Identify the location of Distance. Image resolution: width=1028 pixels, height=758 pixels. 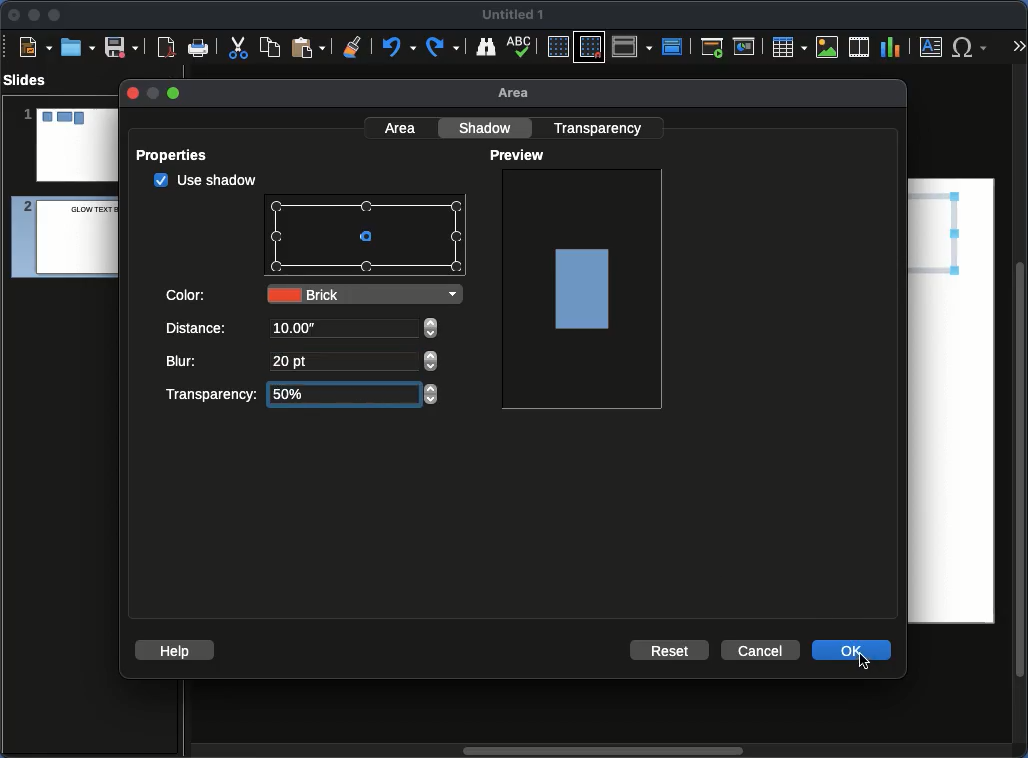
(198, 330).